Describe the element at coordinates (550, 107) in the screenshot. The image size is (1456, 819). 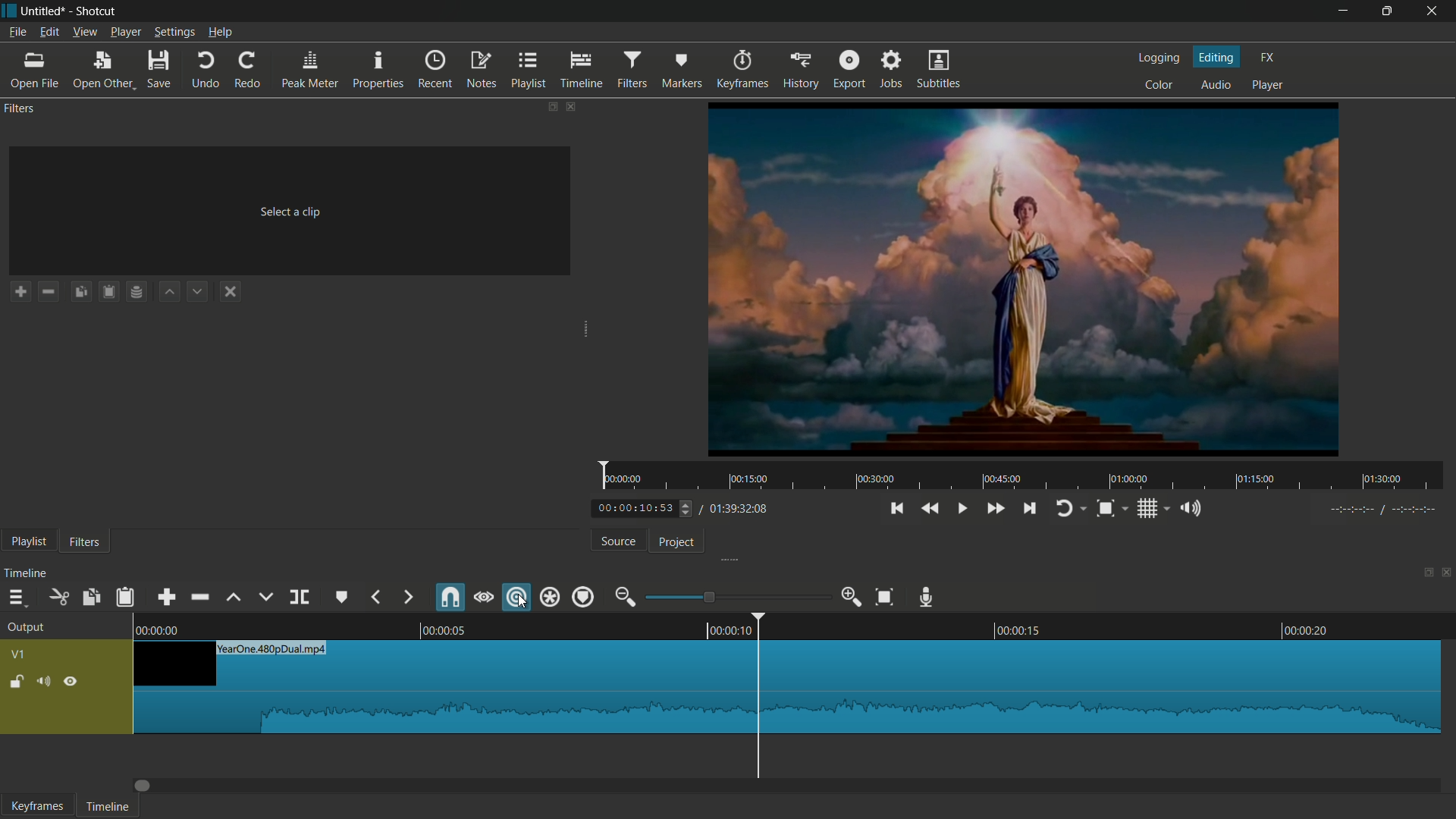
I see `change layout` at that location.